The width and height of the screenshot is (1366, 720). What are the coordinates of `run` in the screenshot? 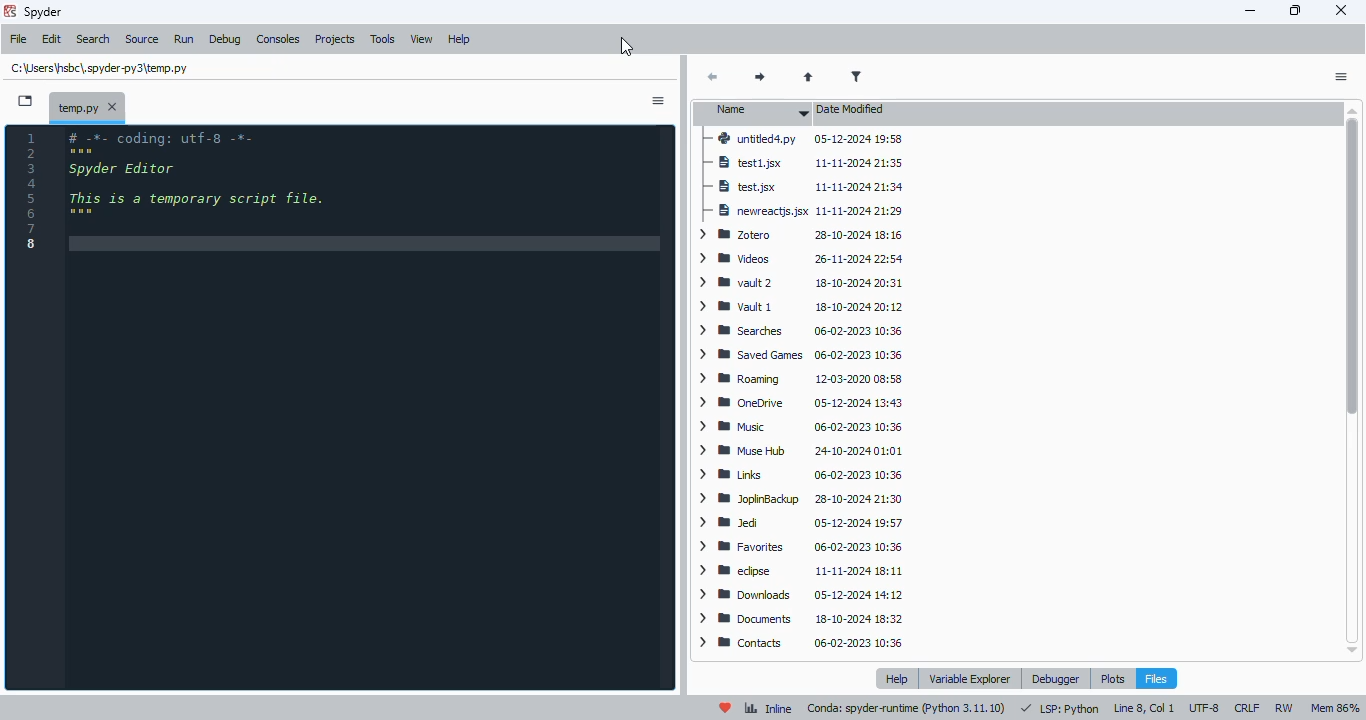 It's located at (185, 40).